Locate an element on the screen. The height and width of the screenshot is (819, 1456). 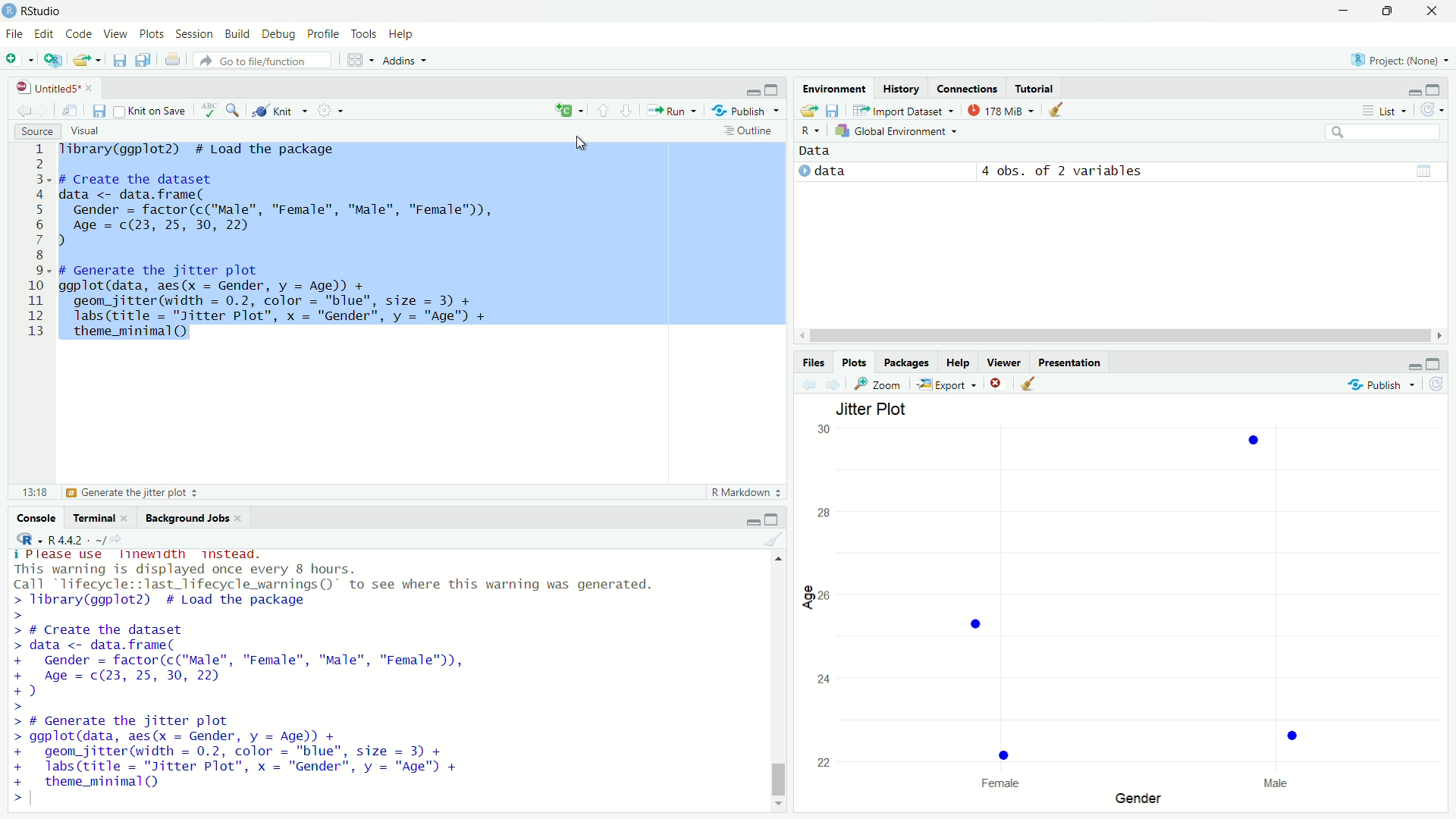
refresh is located at coordinates (1437, 110).